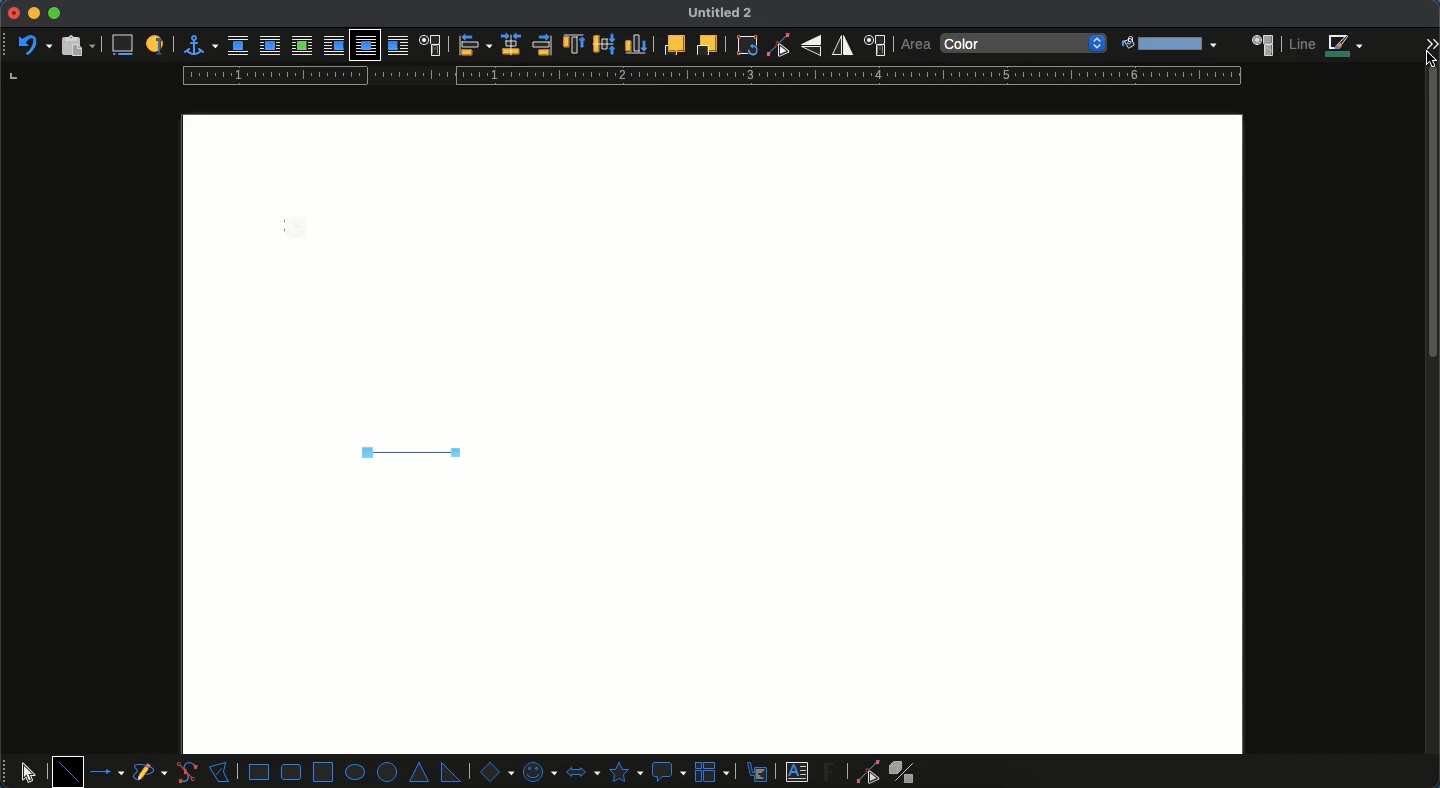 Image resolution: width=1440 pixels, height=788 pixels. Describe the element at coordinates (355, 772) in the screenshot. I see `ellipse` at that location.